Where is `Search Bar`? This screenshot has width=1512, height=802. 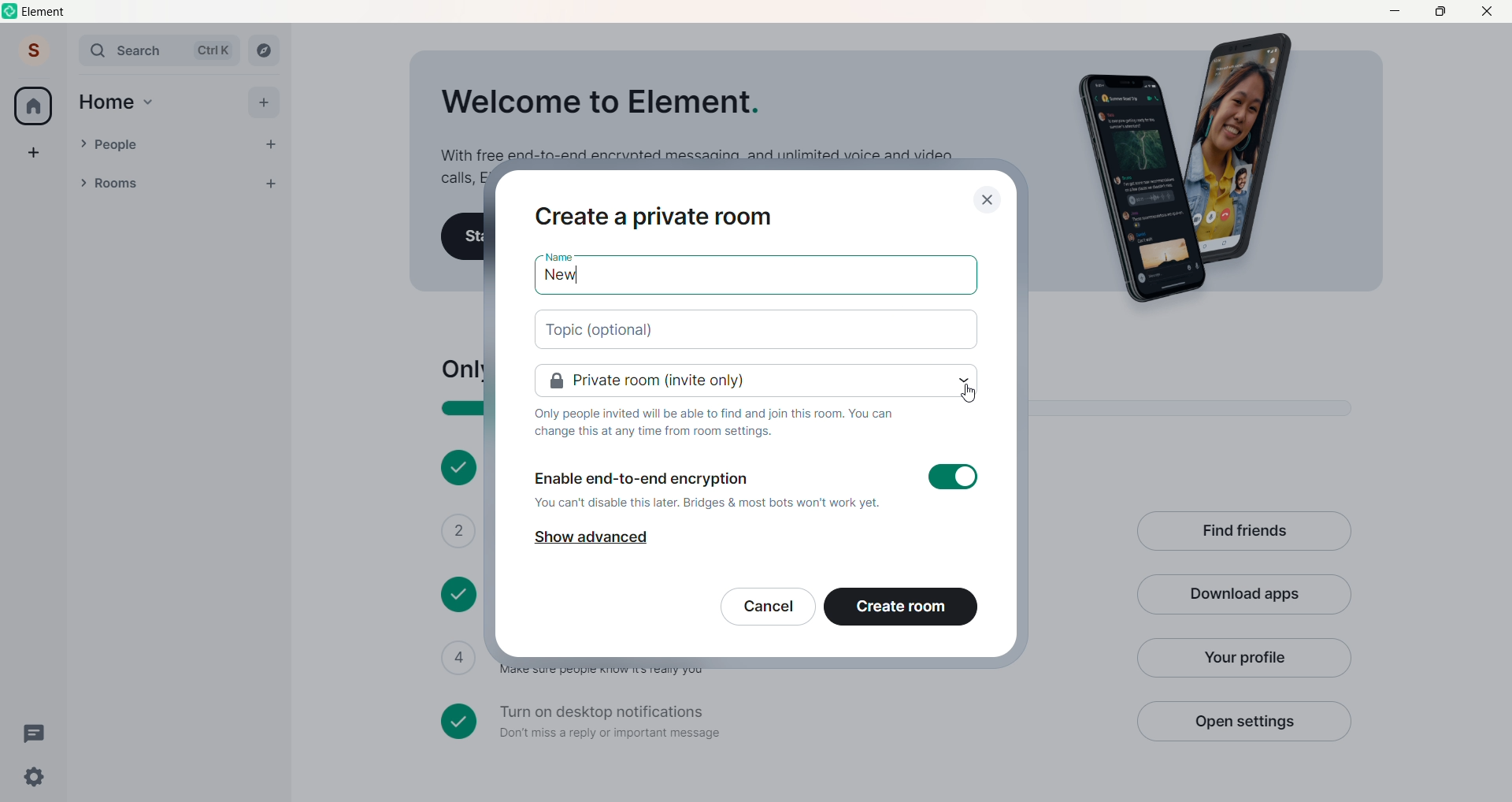
Search Bar is located at coordinates (131, 50).